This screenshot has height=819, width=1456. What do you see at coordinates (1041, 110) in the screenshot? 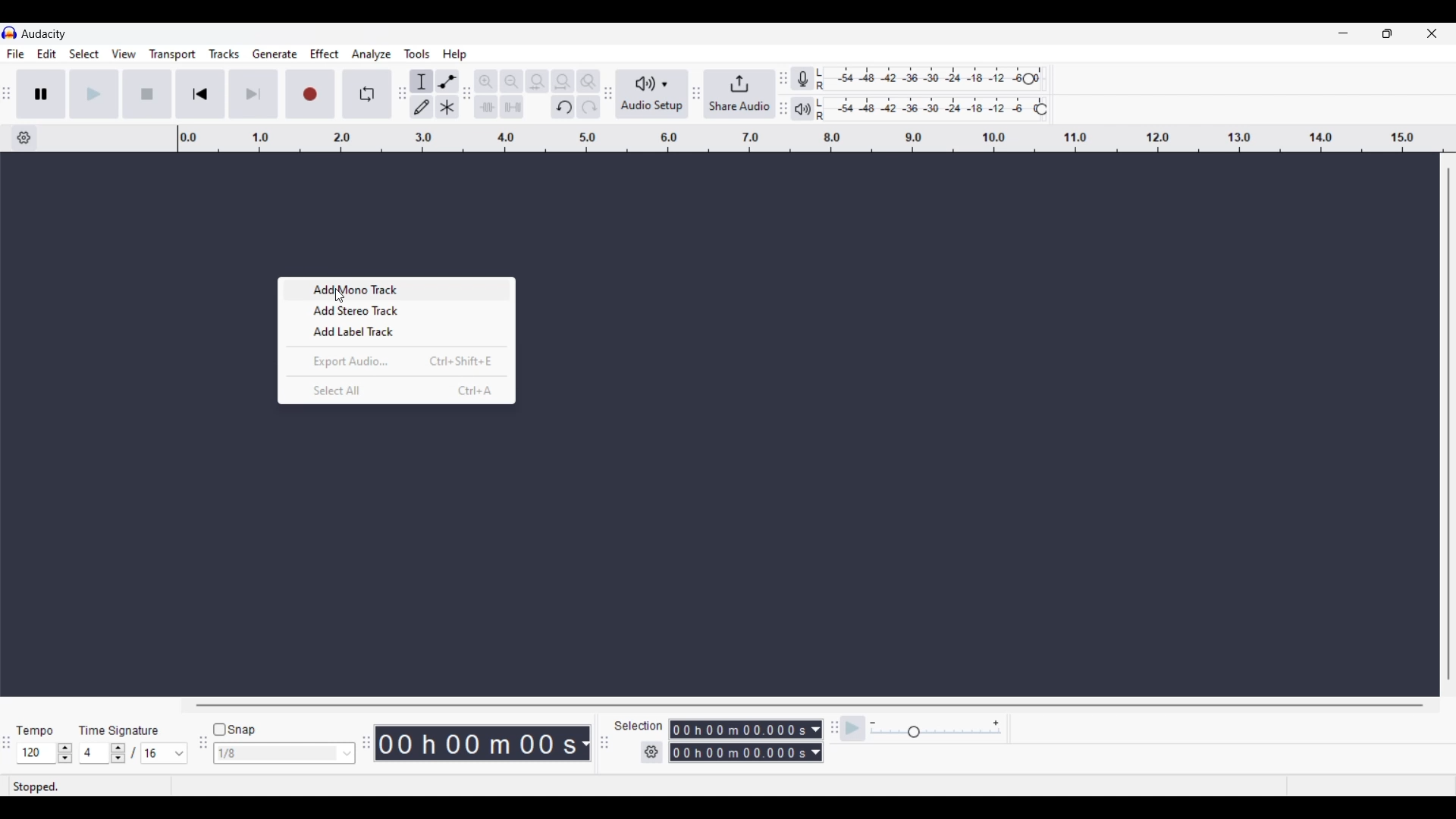
I see `Change playback level` at bounding box center [1041, 110].